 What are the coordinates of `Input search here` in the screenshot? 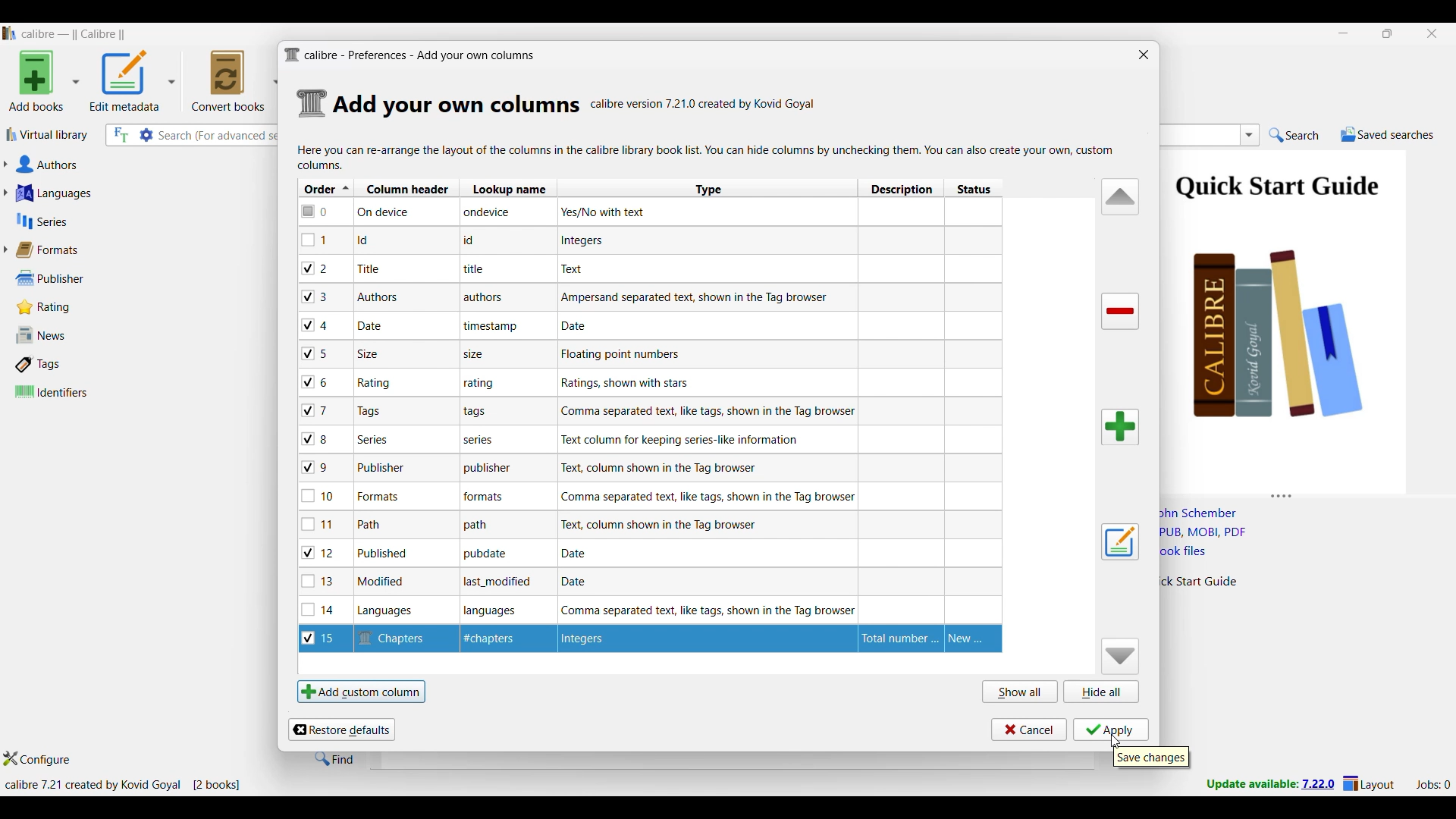 It's located at (220, 136).